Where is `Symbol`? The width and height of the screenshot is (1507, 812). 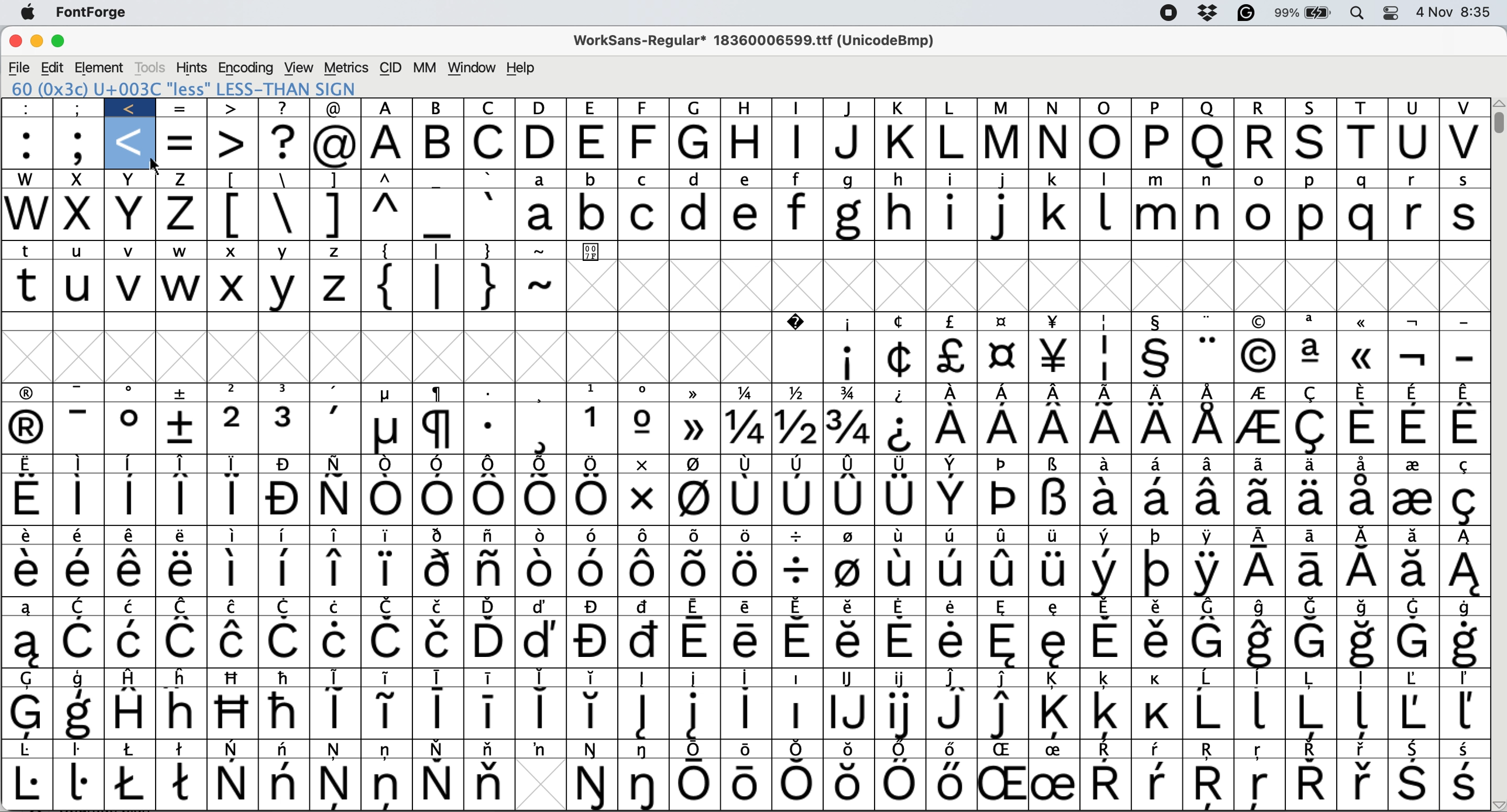 Symbol is located at coordinates (27, 497).